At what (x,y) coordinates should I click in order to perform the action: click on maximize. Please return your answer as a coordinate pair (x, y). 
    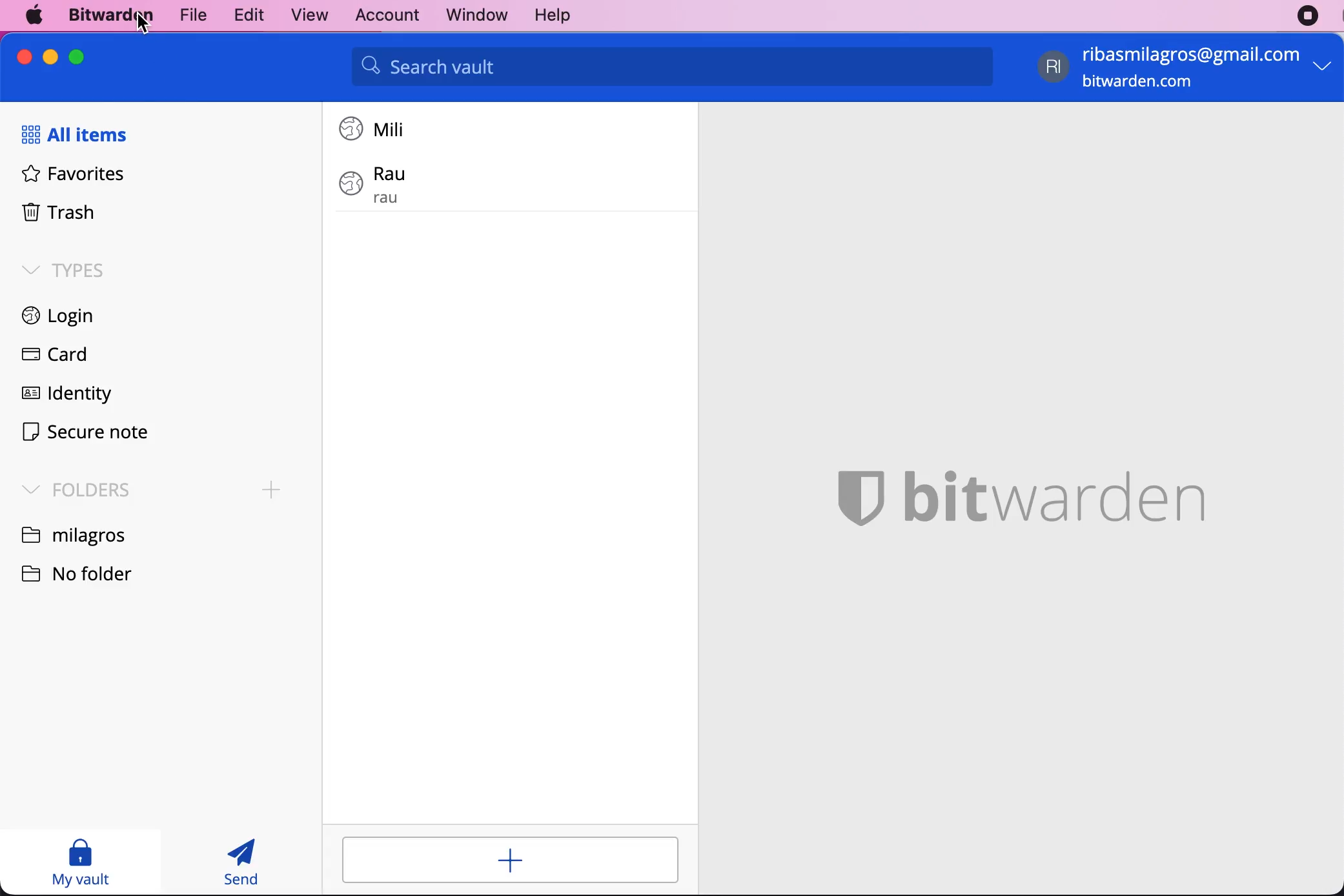
    Looking at the image, I should click on (76, 56).